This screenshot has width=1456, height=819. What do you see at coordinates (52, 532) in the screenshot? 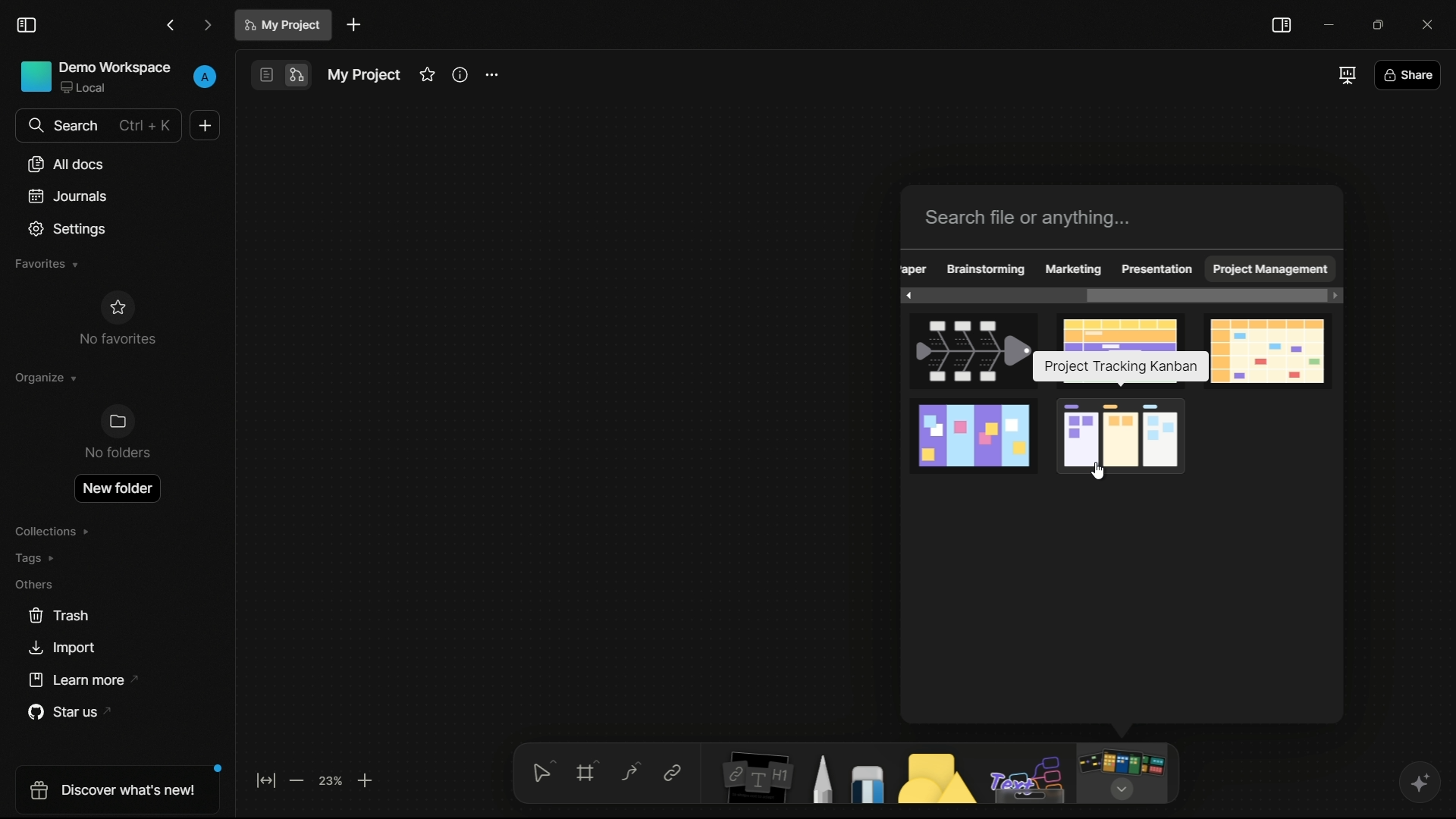
I see `collections` at bounding box center [52, 532].